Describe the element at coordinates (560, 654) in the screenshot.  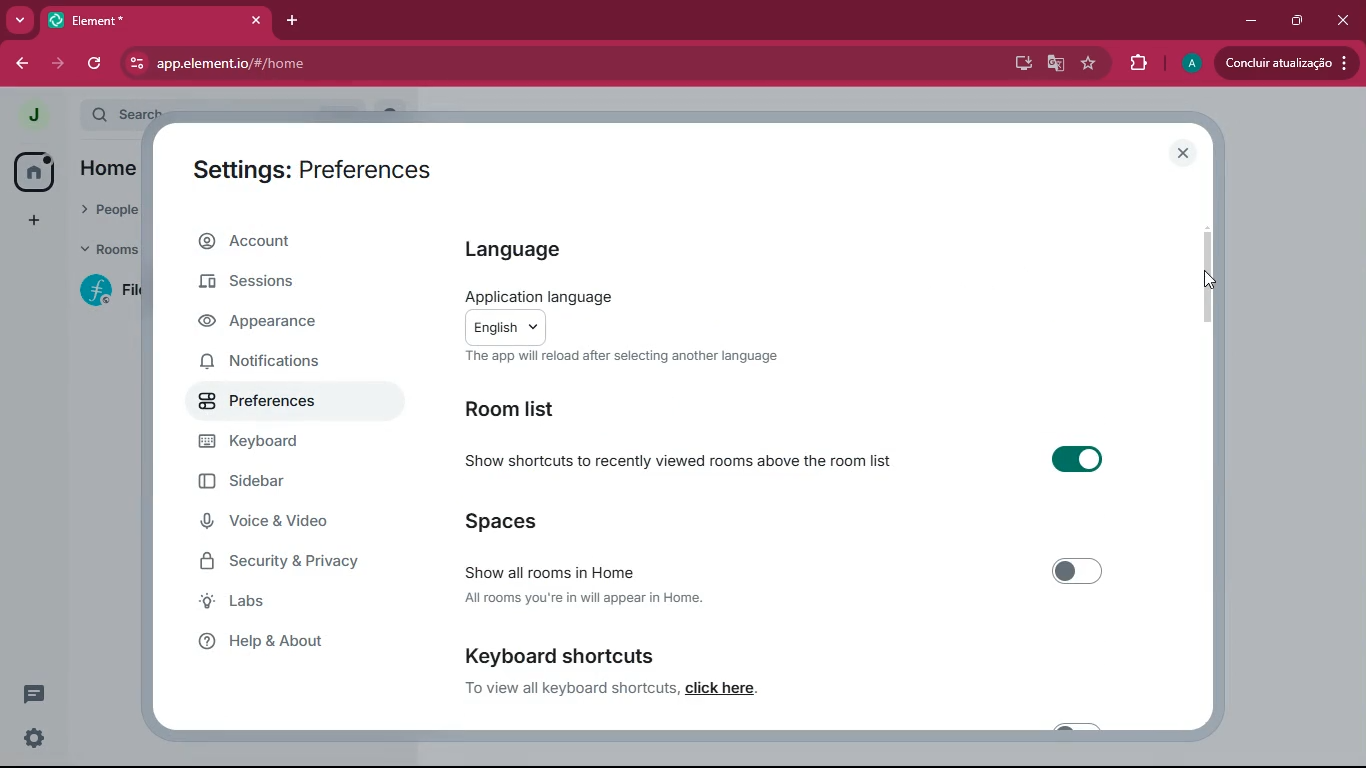
I see `keyboard shortcuts` at that location.